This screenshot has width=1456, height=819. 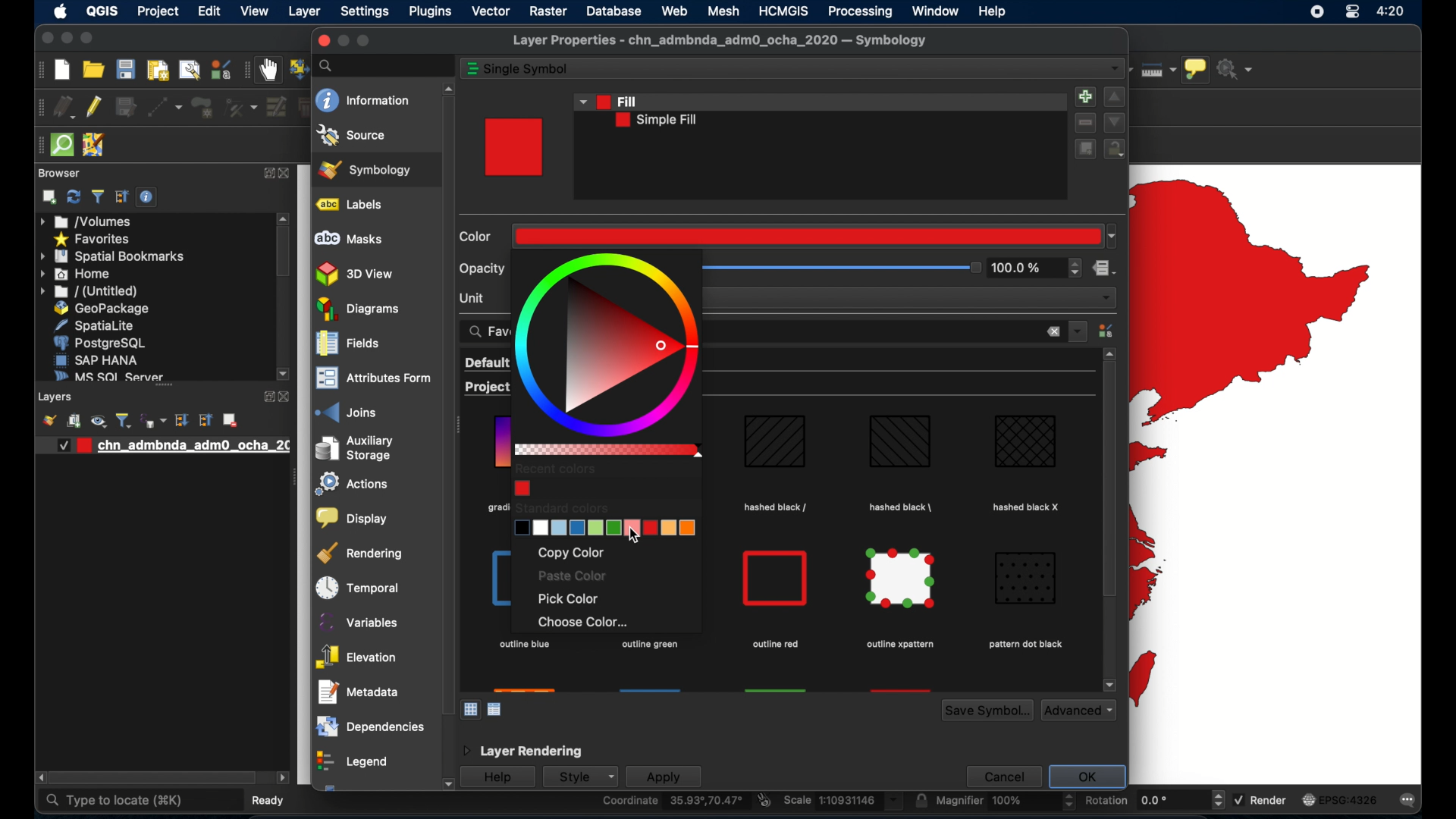 What do you see at coordinates (673, 802) in the screenshot?
I see `Coordinate 35.93°,70.47°` at bounding box center [673, 802].